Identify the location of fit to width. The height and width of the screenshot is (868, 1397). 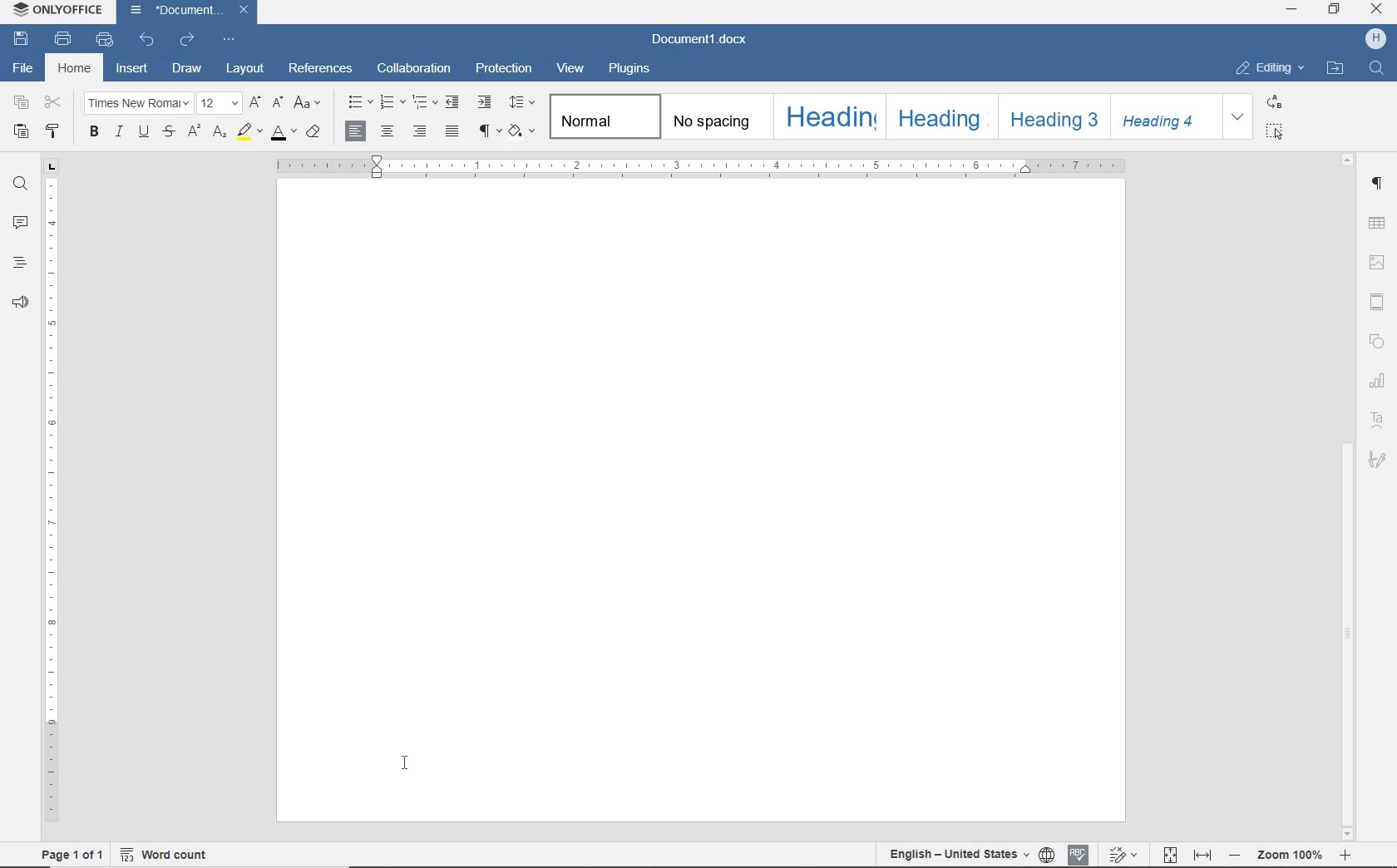
(1203, 856).